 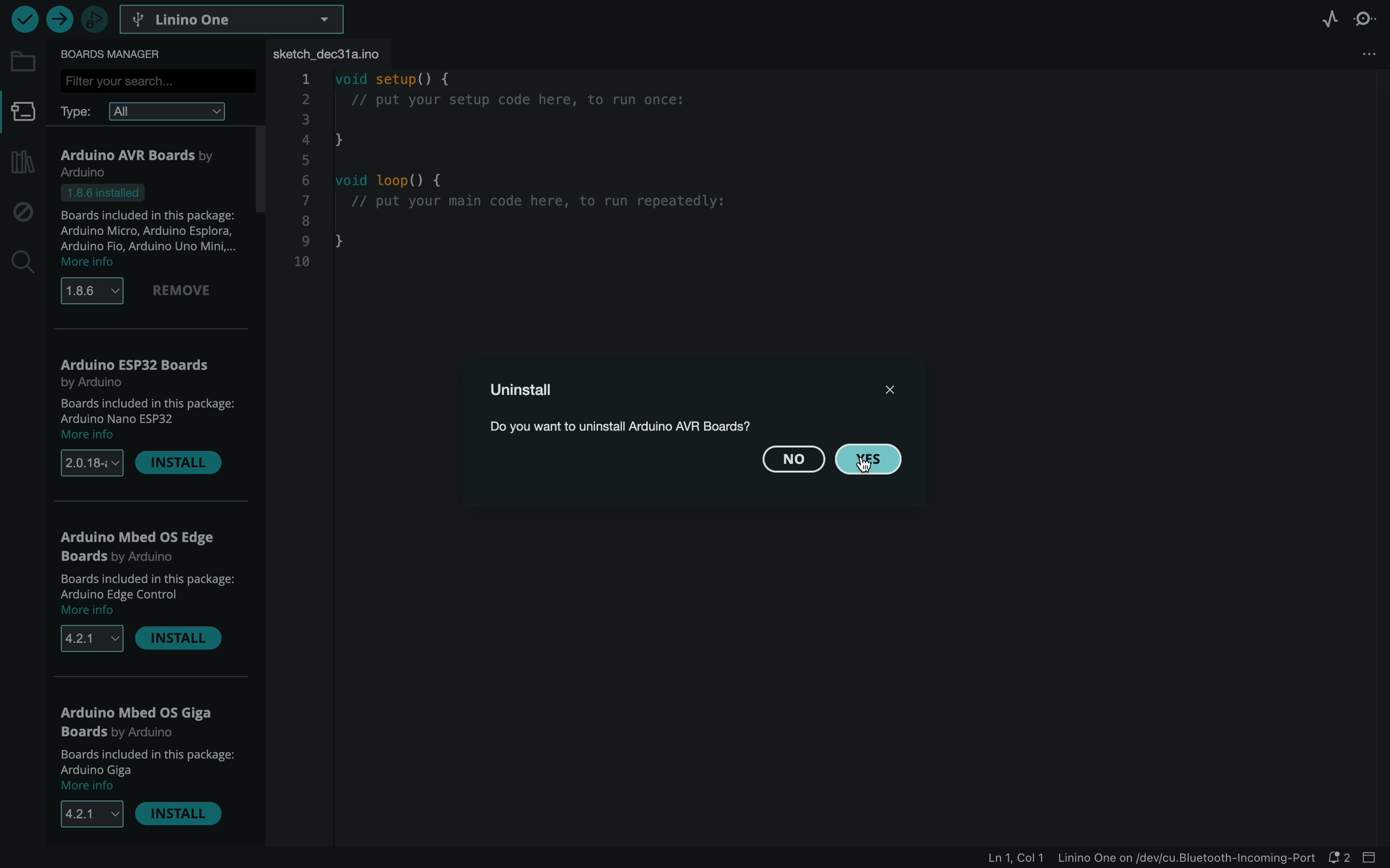 I want to click on close, so click(x=886, y=389).